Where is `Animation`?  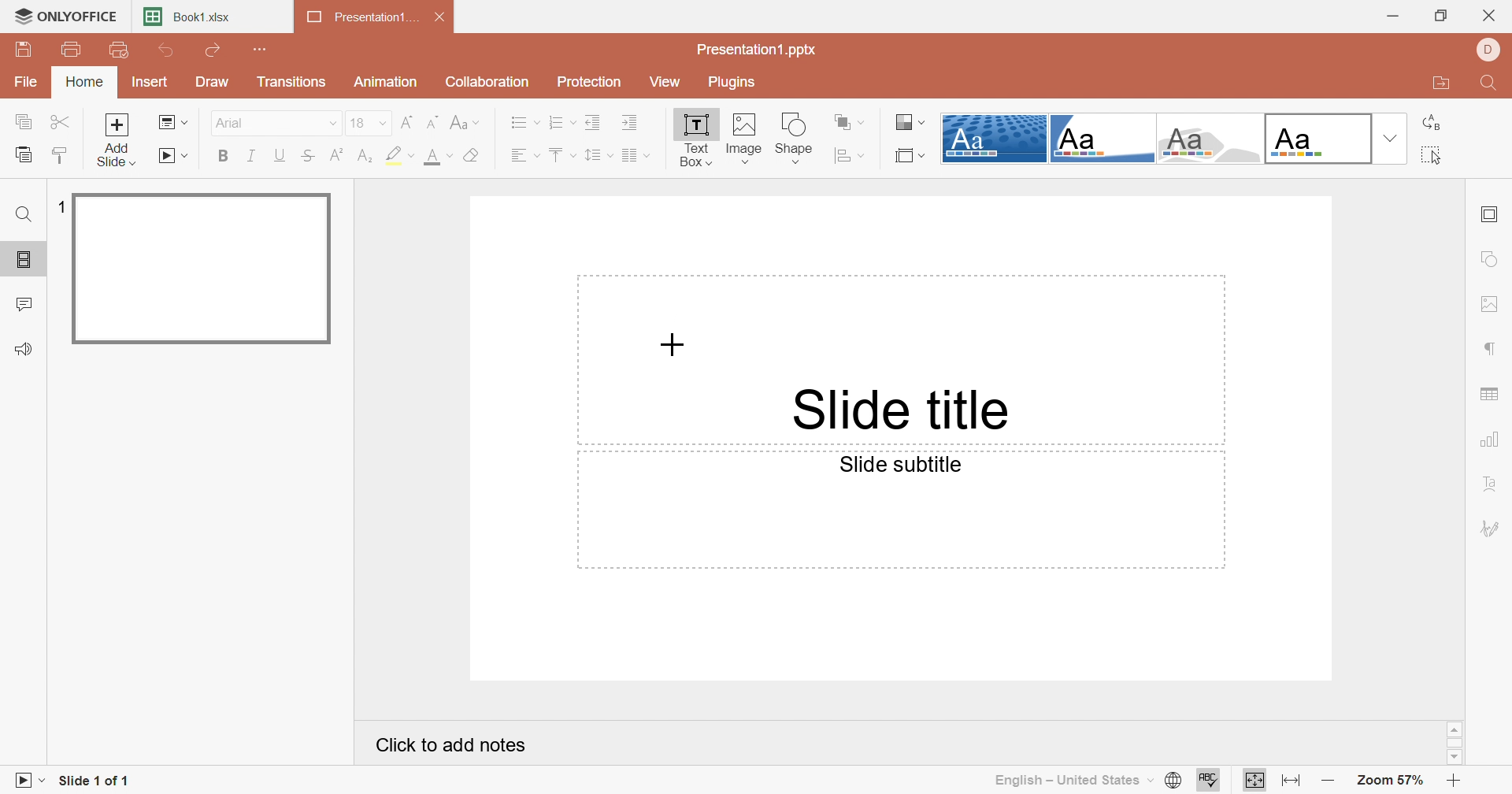
Animation is located at coordinates (388, 82).